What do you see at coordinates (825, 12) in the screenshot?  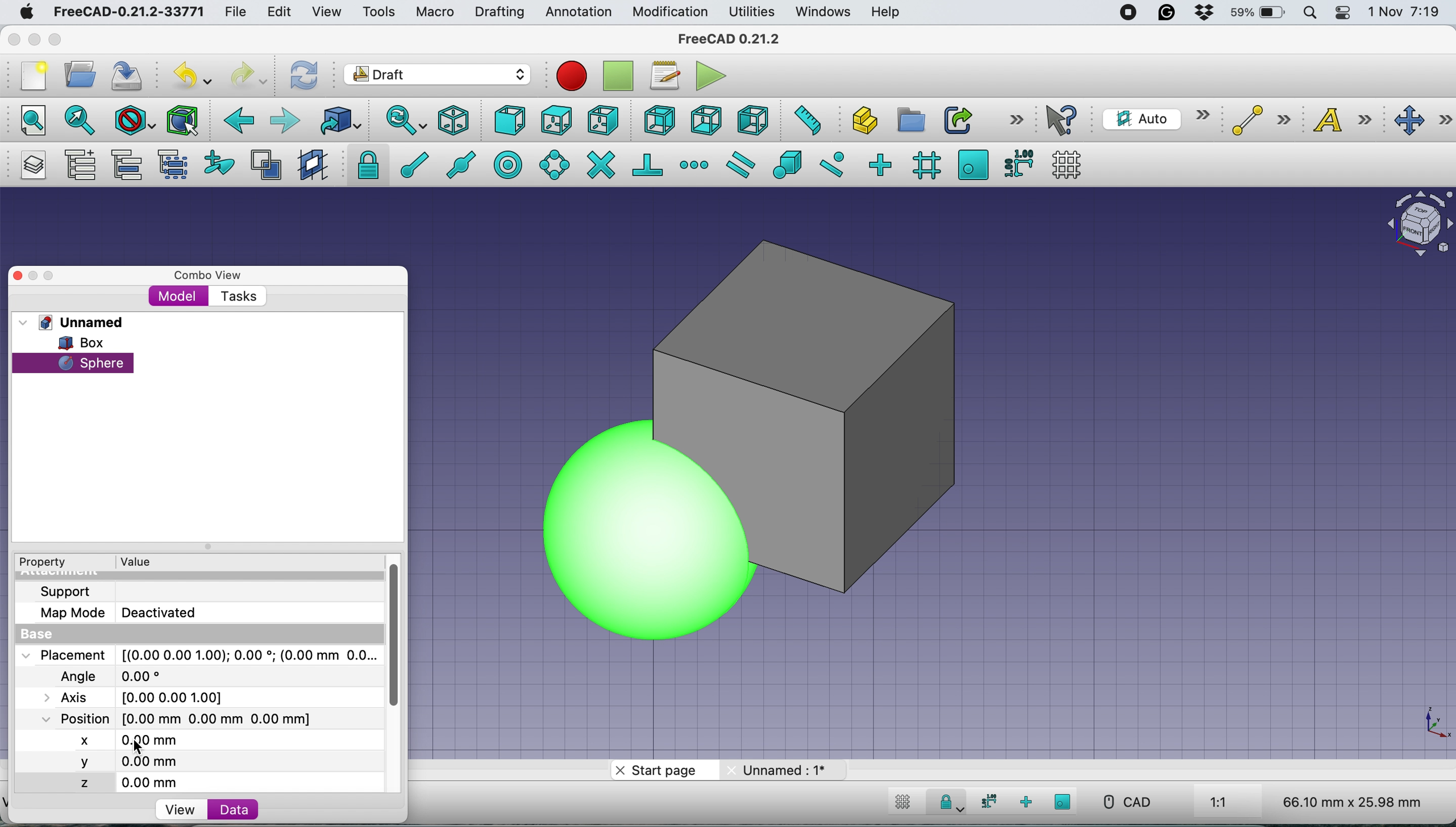 I see `windows` at bounding box center [825, 12].